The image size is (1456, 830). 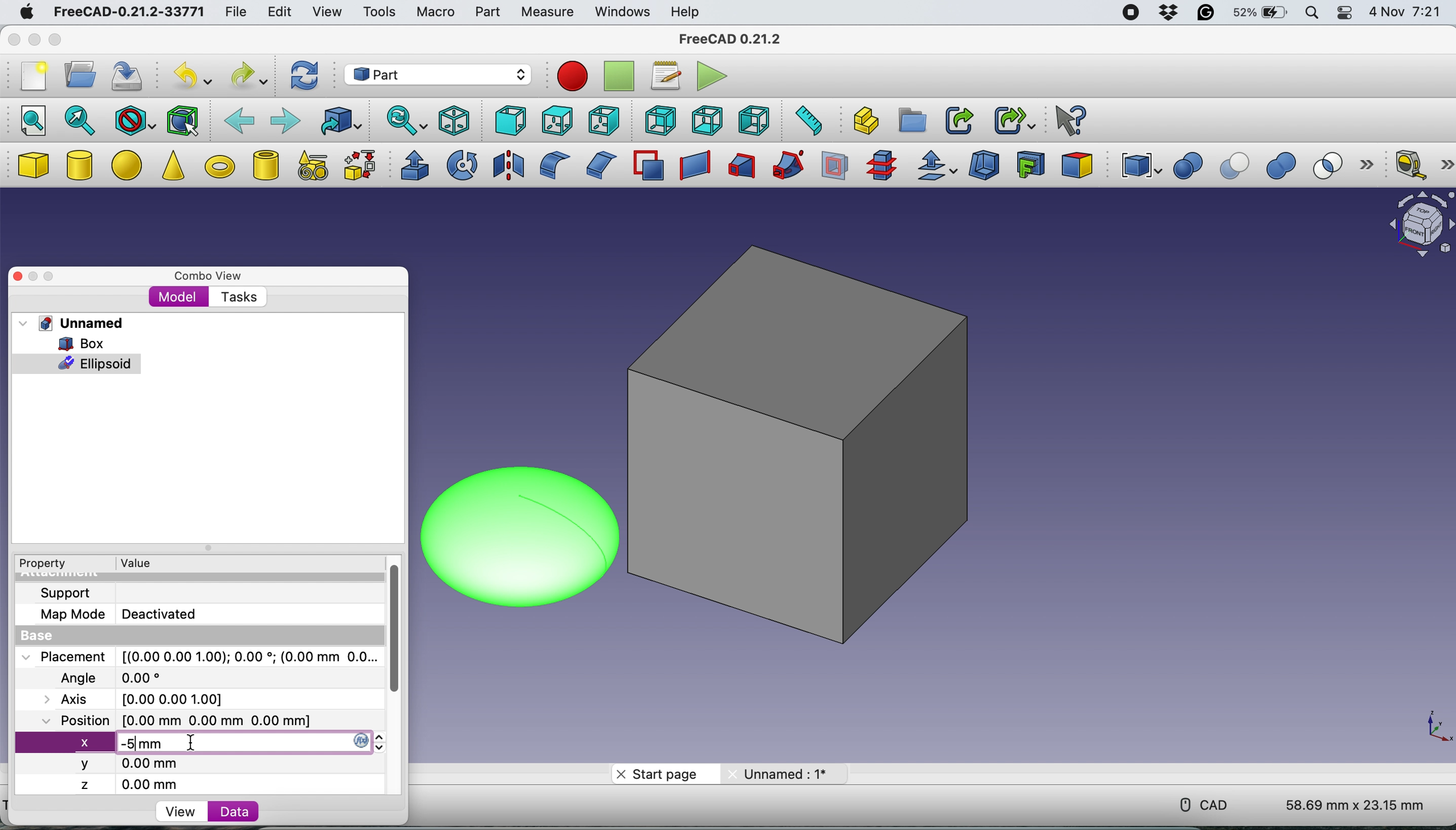 What do you see at coordinates (621, 77) in the screenshot?
I see `stop recording macros` at bounding box center [621, 77].